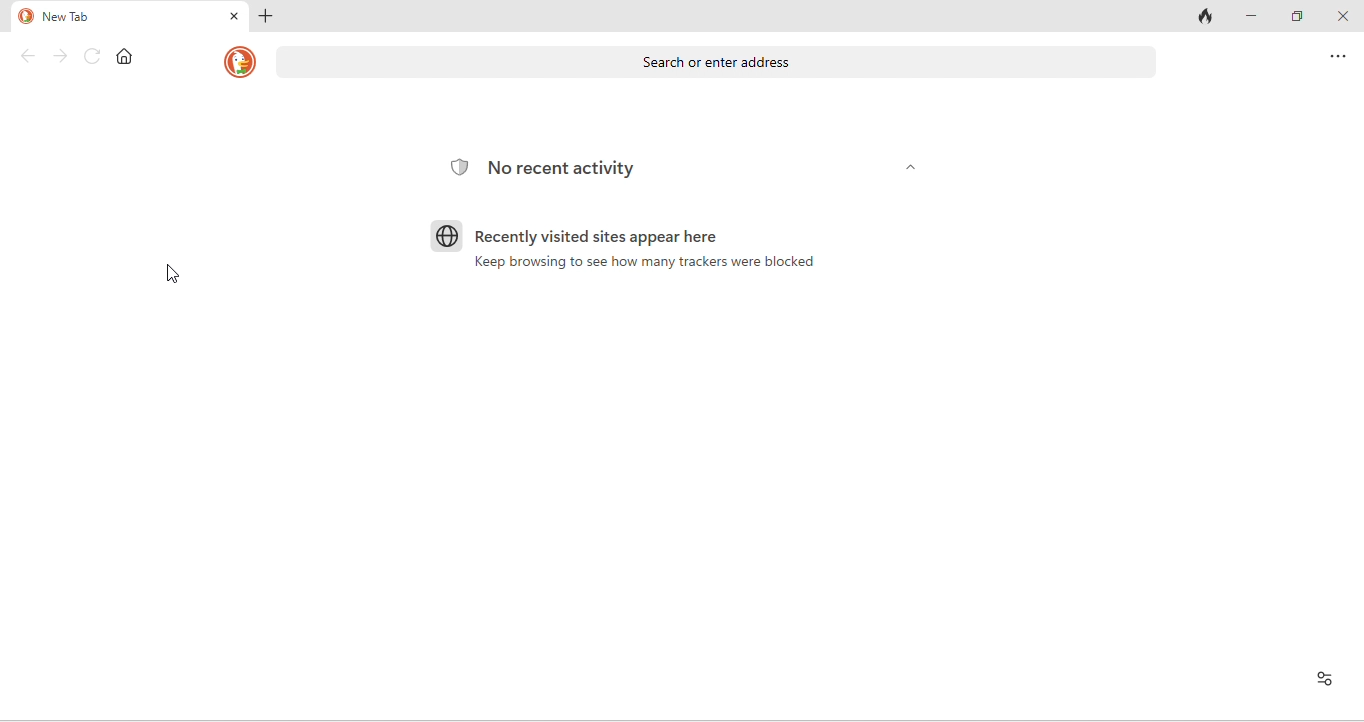 This screenshot has height=722, width=1364. Describe the element at coordinates (448, 234) in the screenshot. I see `browser logo` at that location.